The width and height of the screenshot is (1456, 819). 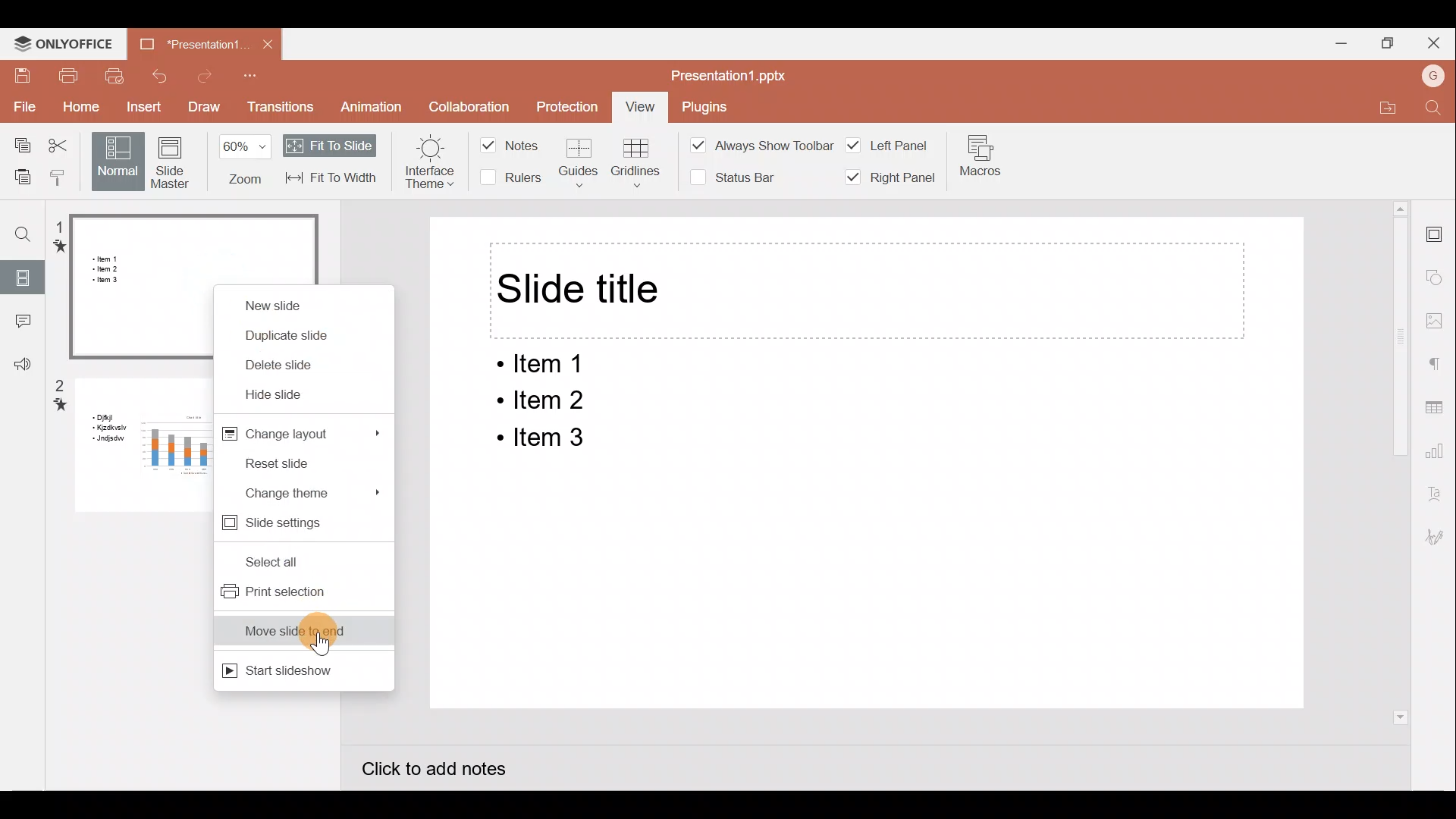 I want to click on Find, so click(x=1433, y=108).